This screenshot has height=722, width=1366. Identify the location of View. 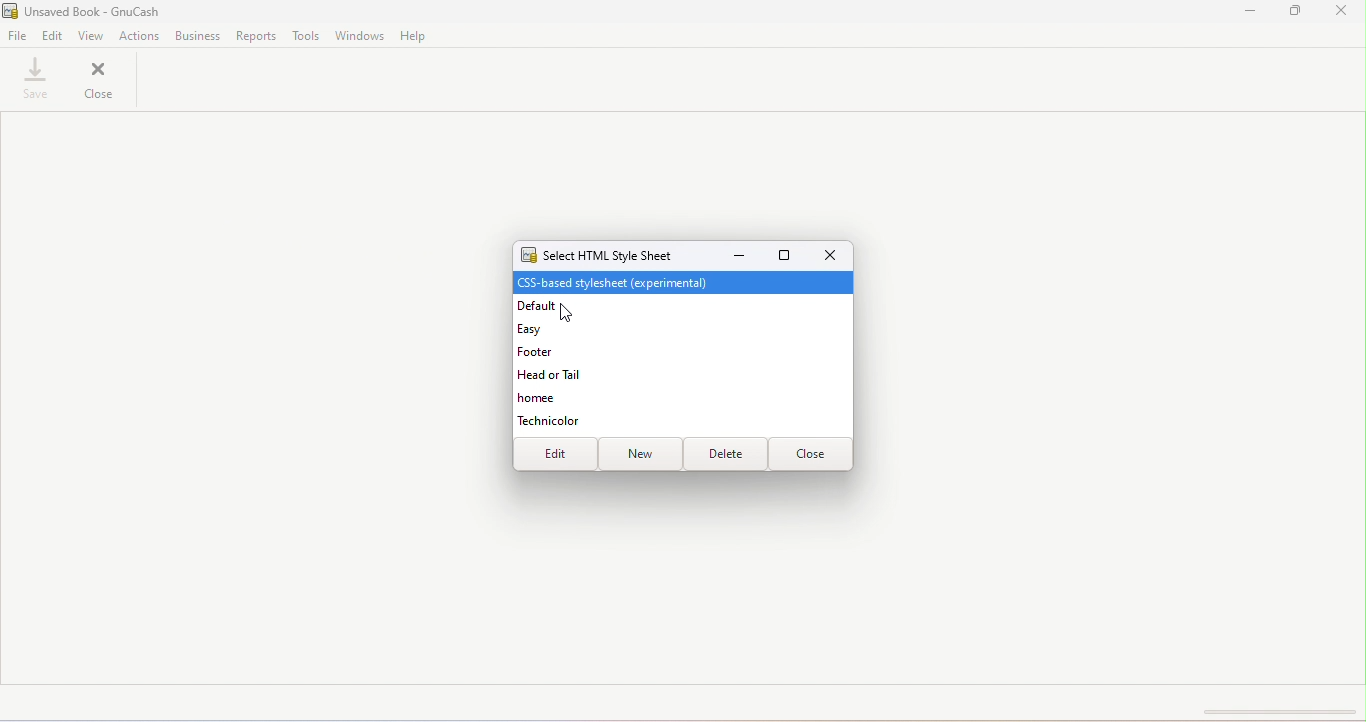
(89, 37).